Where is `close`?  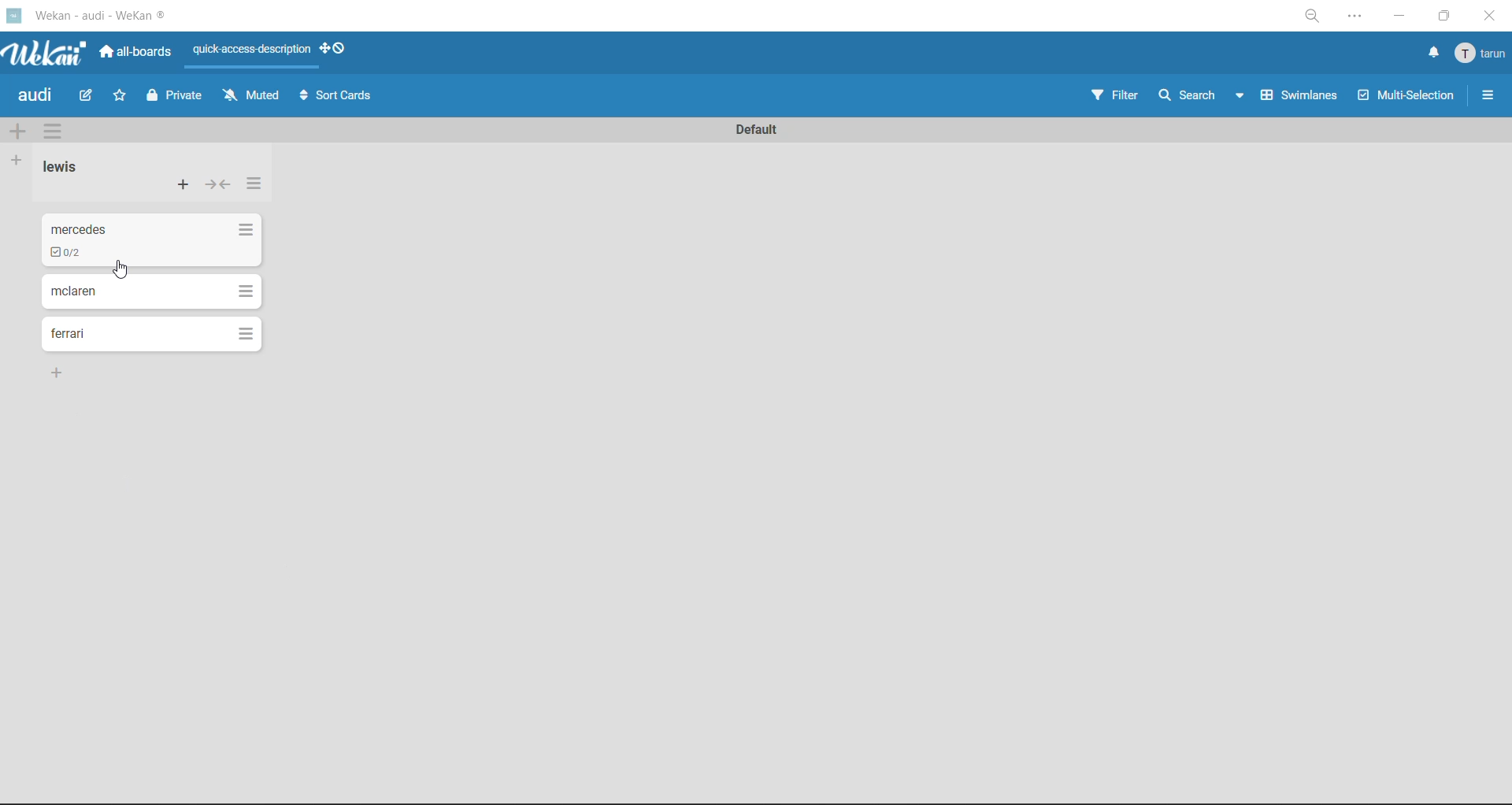
close is located at coordinates (1488, 18).